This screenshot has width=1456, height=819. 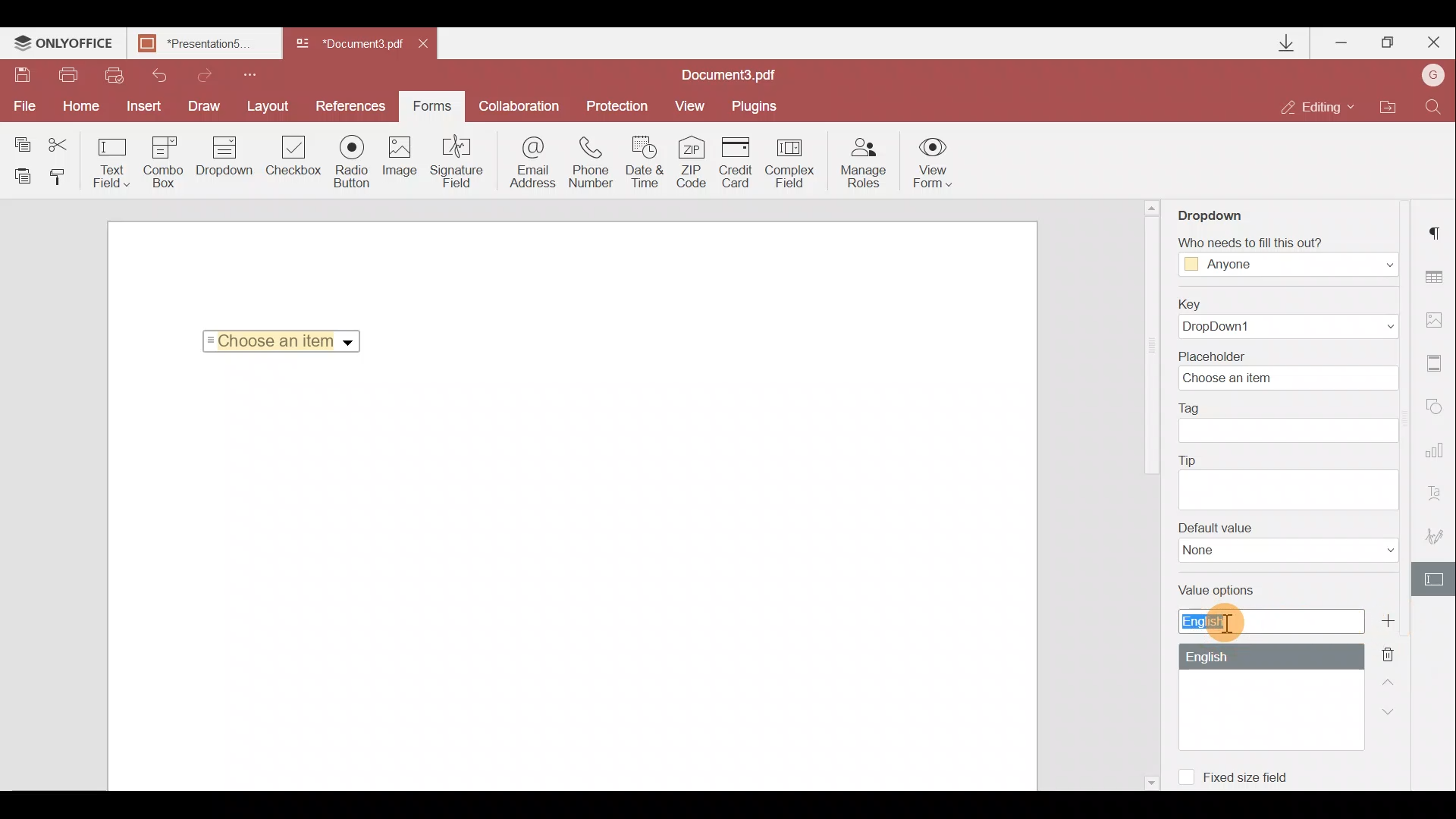 What do you see at coordinates (1288, 480) in the screenshot?
I see `Tip` at bounding box center [1288, 480].